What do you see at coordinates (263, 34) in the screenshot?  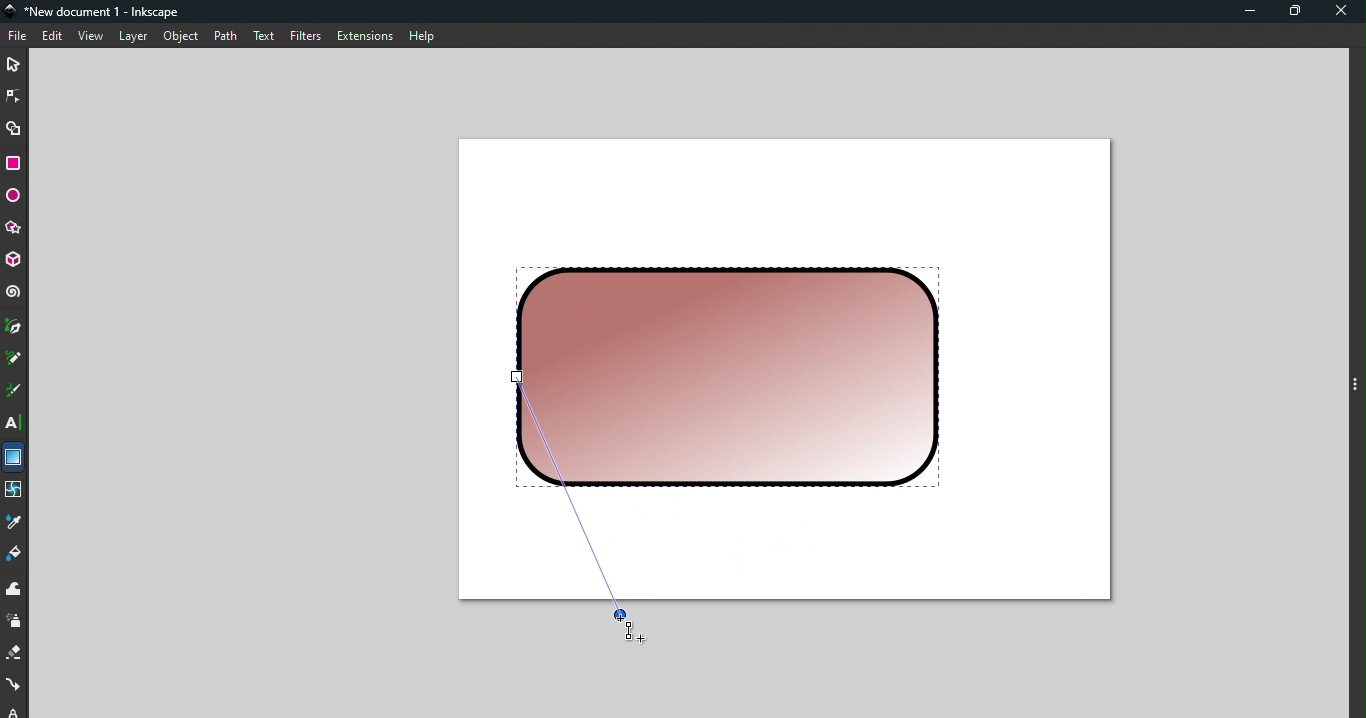 I see `Text` at bounding box center [263, 34].